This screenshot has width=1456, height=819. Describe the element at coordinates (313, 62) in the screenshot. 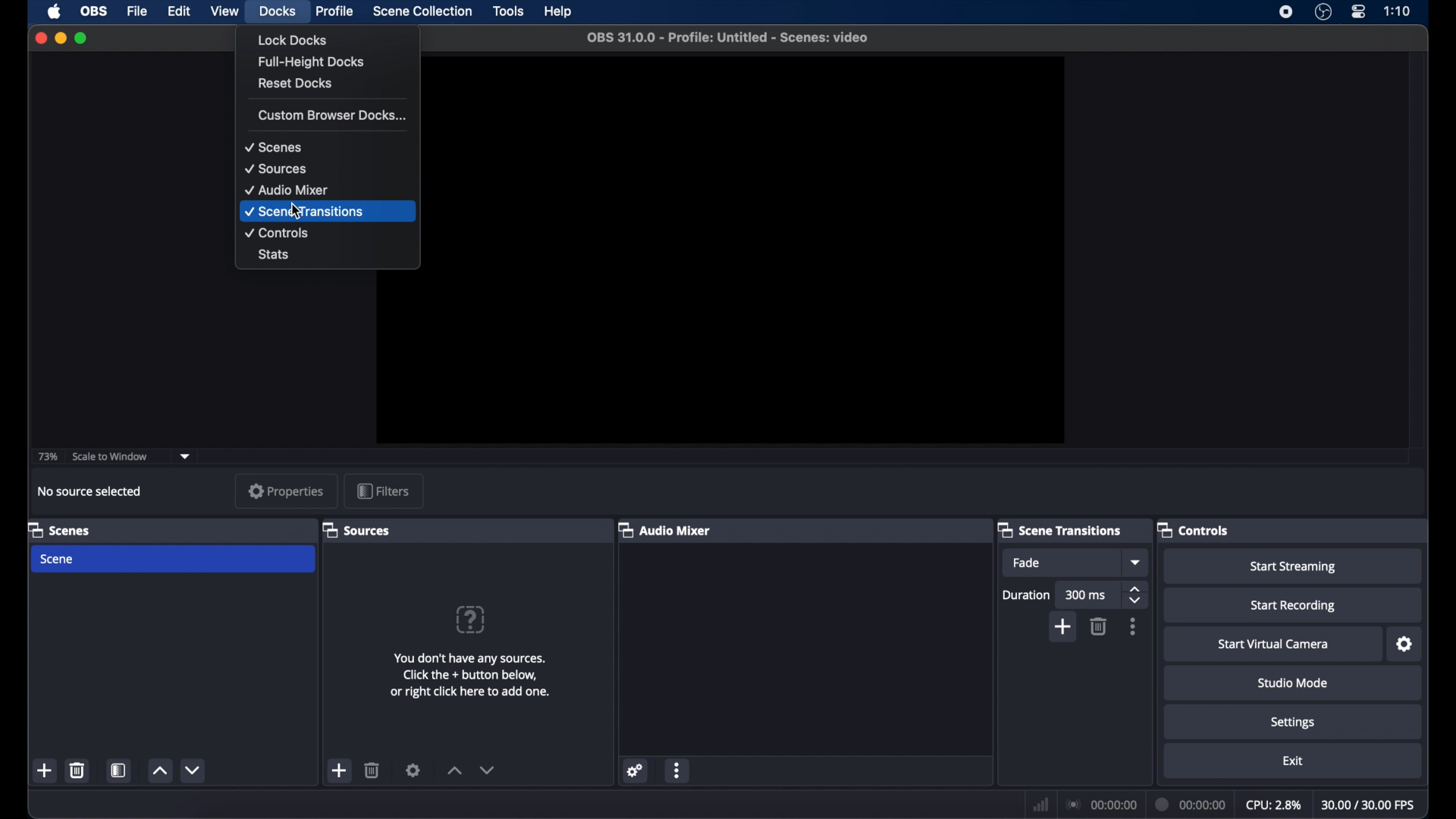

I see `full height docks` at that location.